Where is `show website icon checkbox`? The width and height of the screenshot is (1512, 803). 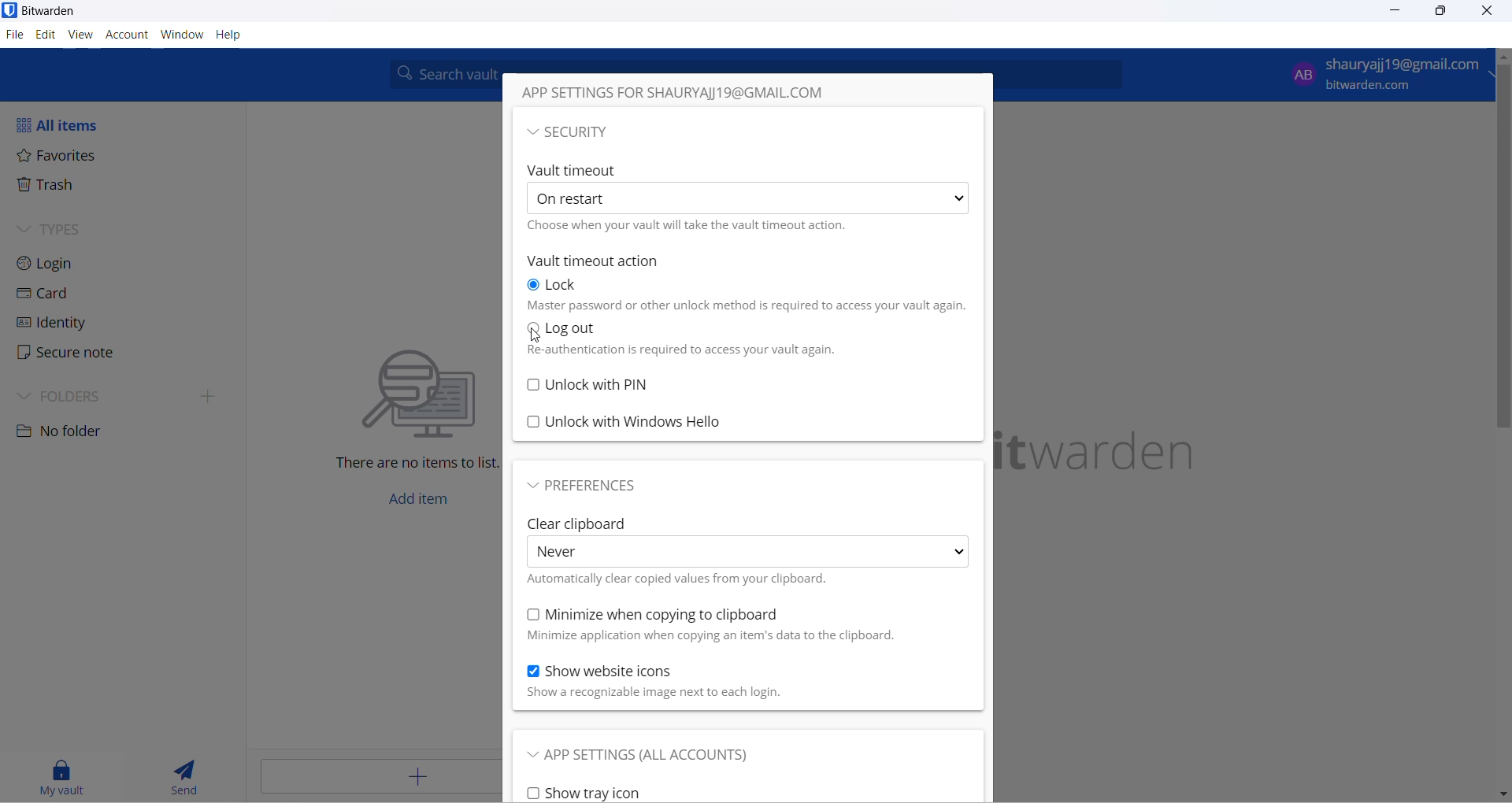
show website icon checkbox is located at coordinates (621, 672).